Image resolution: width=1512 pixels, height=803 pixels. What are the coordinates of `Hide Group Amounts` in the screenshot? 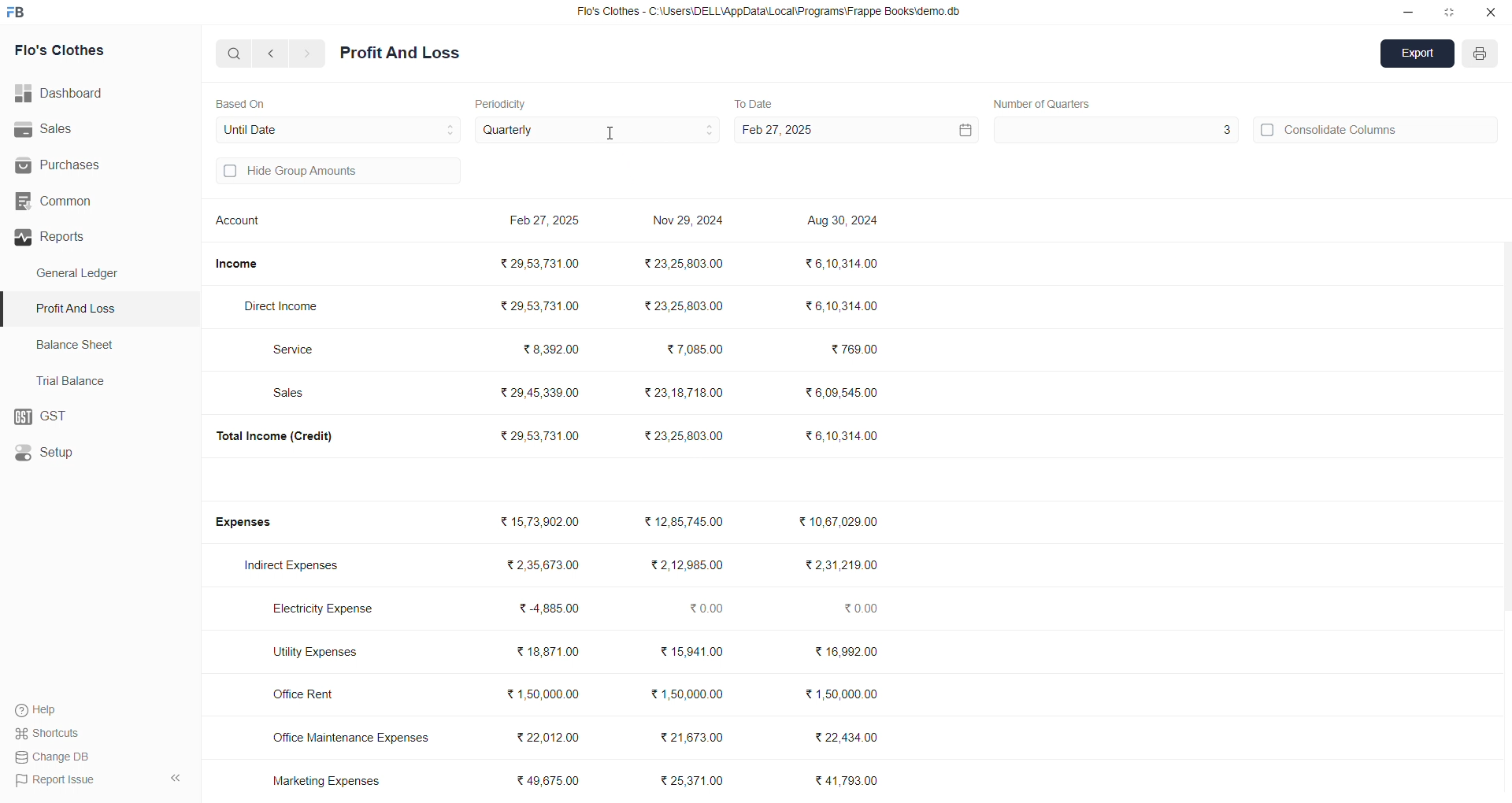 It's located at (335, 172).